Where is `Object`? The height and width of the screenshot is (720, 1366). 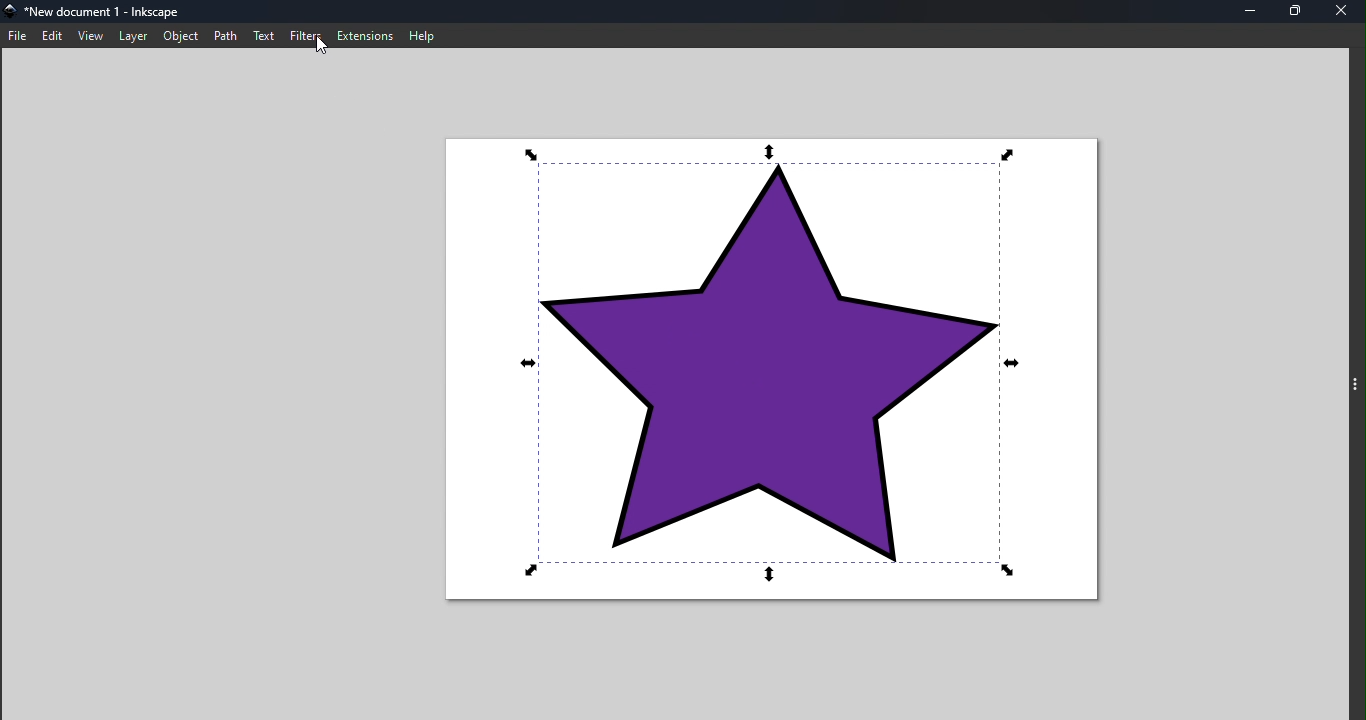 Object is located at coordinates (179, 36).